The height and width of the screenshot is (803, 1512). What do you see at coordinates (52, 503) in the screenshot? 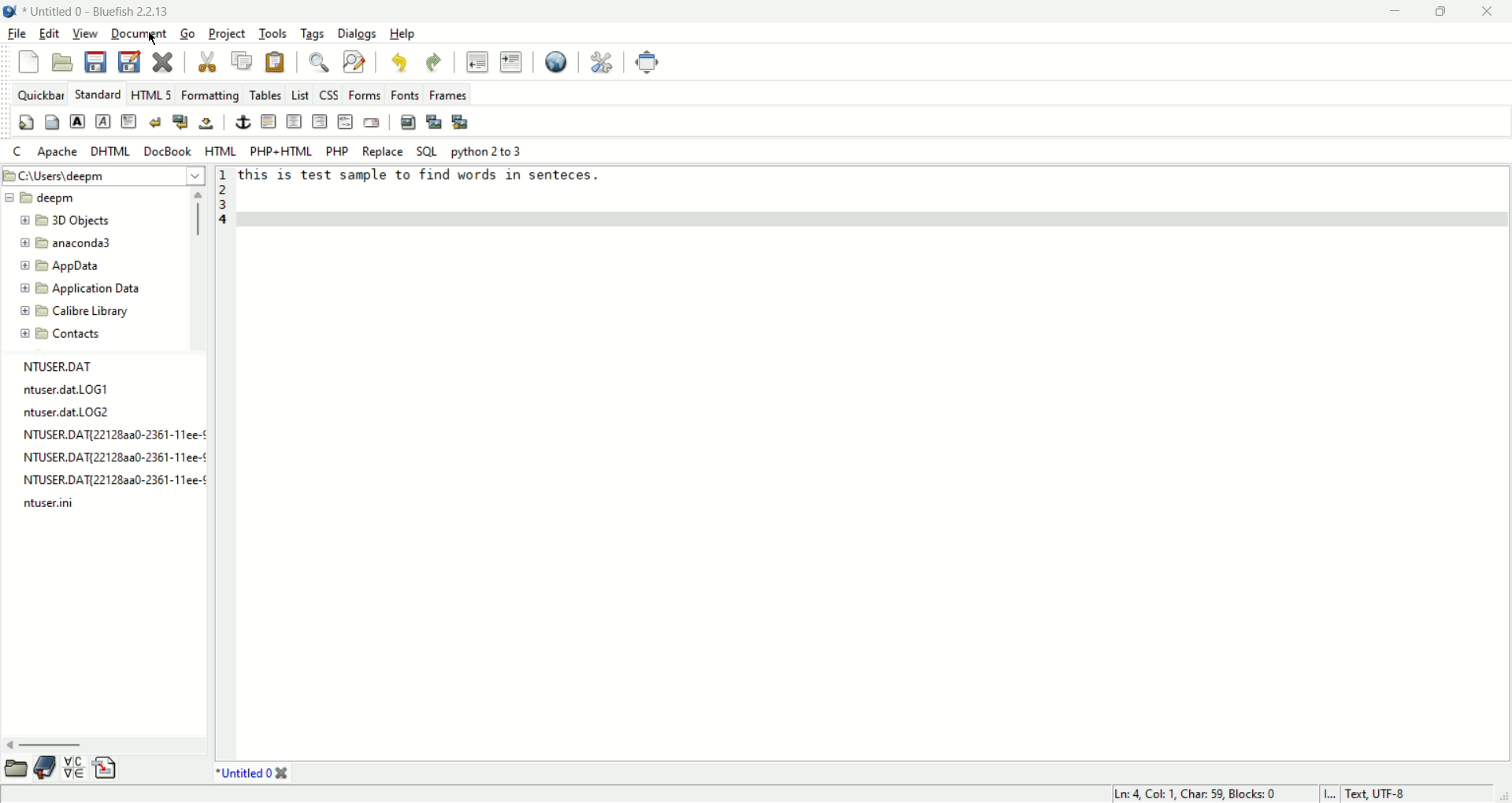
I see `ntuser.ini` at bounding box center [52, 503].